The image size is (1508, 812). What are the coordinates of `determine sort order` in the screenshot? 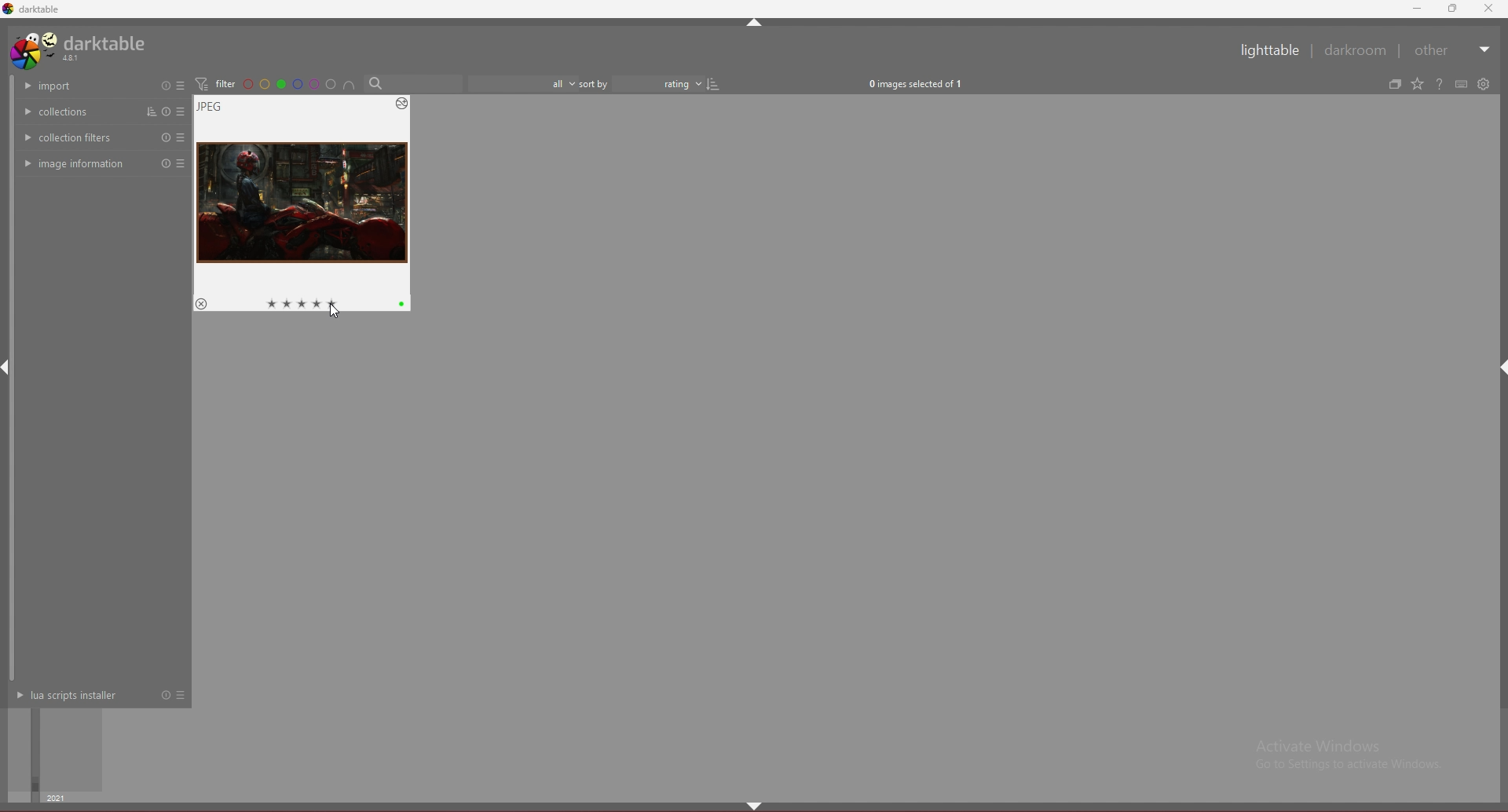 It's located at (666, 84).